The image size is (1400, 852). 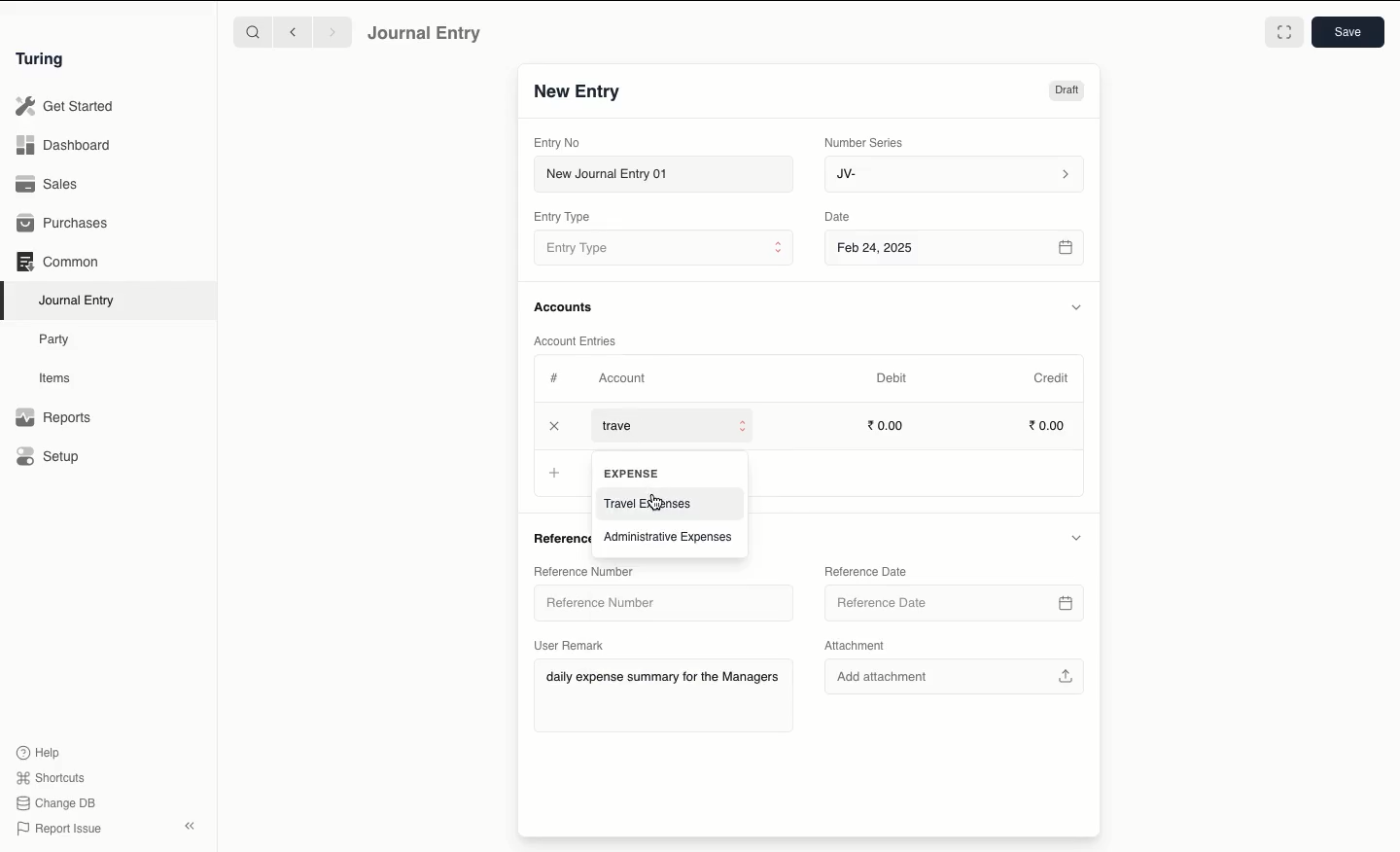 What do you see at coordinates (578, 340) in the screenshot?
I see `Account Entries` at bounding box center [578, 340].